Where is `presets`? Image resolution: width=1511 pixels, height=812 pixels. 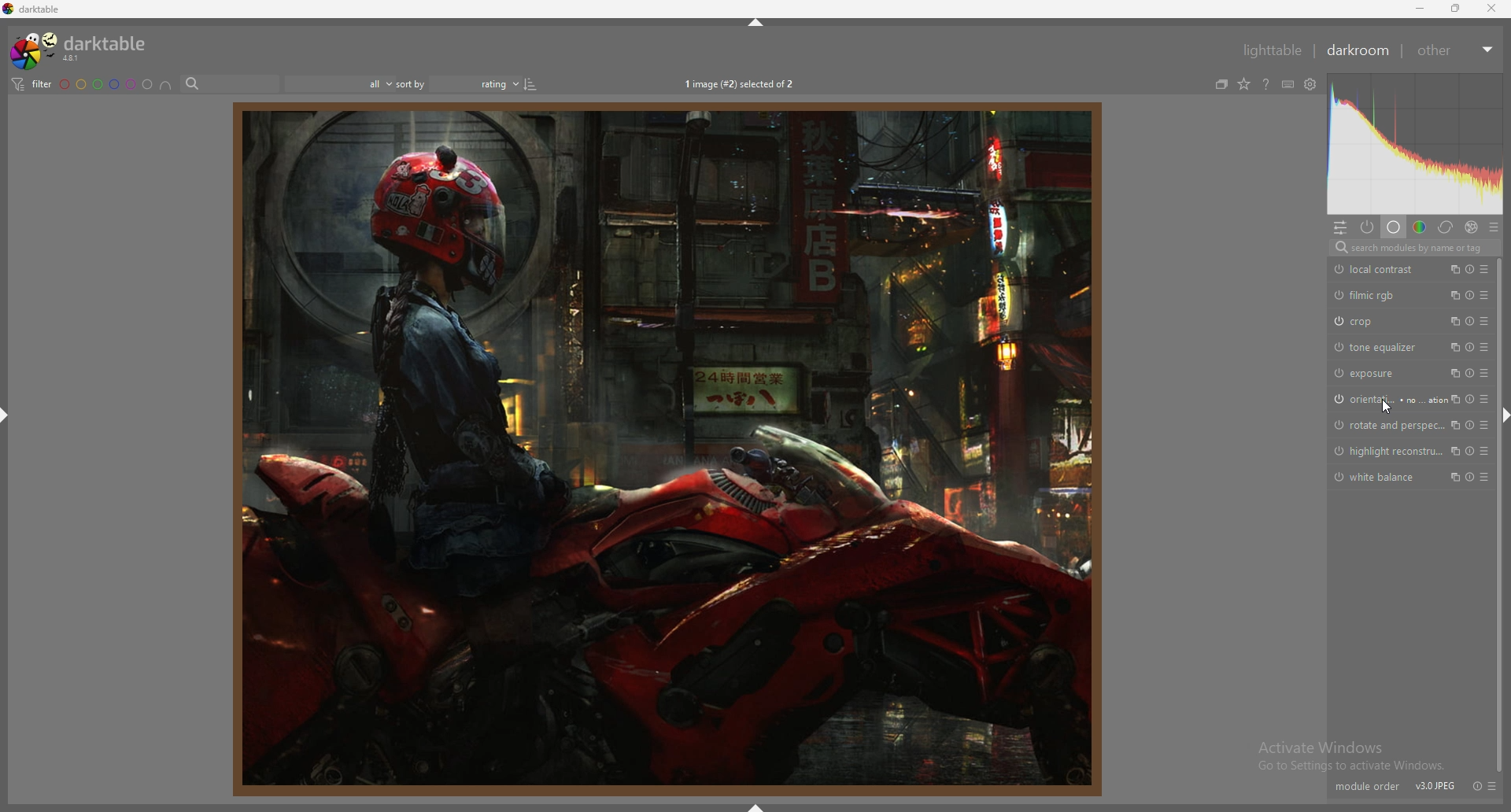 presets is located at coordinates (1483, 347).